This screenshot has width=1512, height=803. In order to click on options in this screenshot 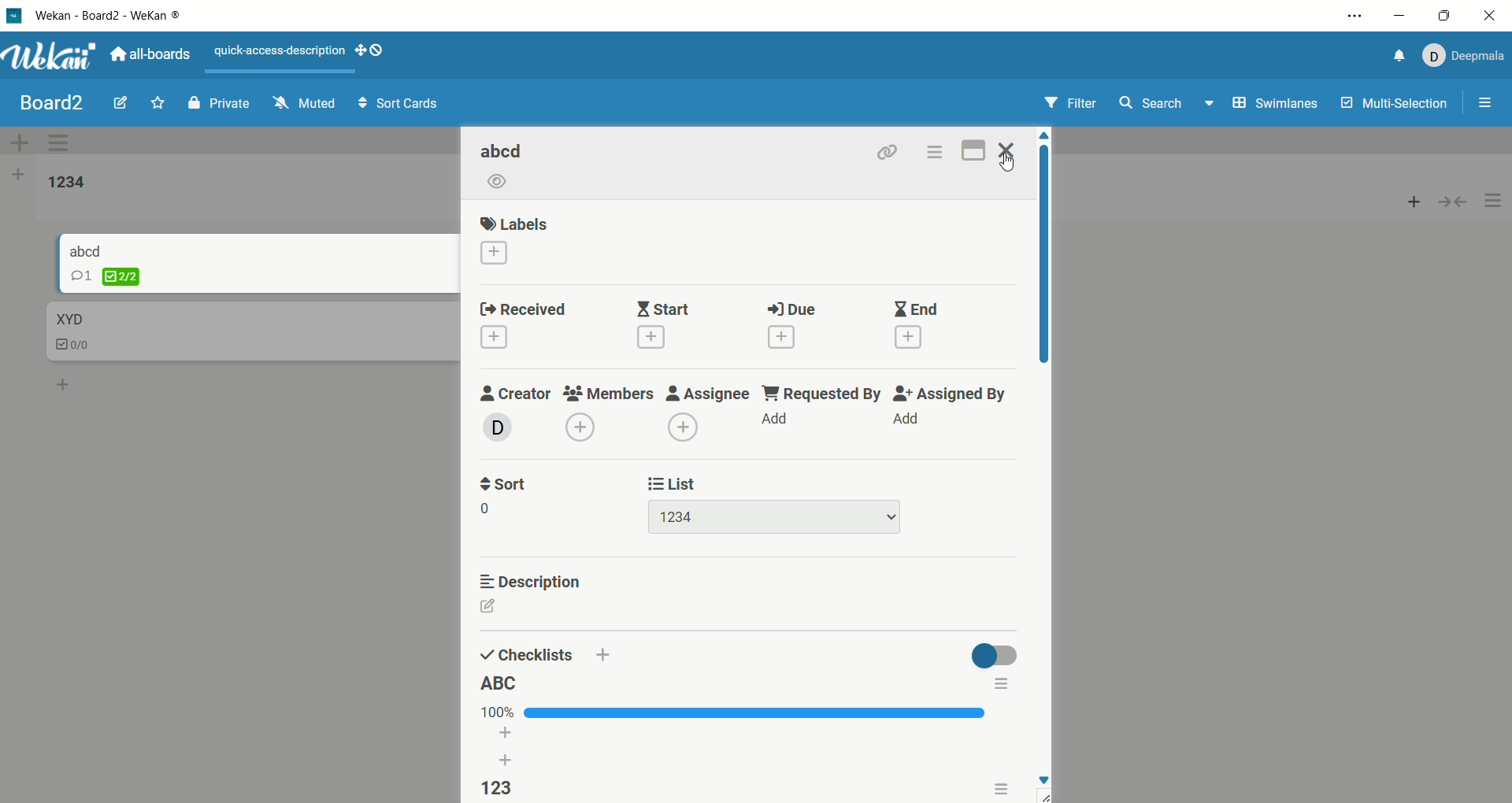, I will do `click(1005, 680)`.